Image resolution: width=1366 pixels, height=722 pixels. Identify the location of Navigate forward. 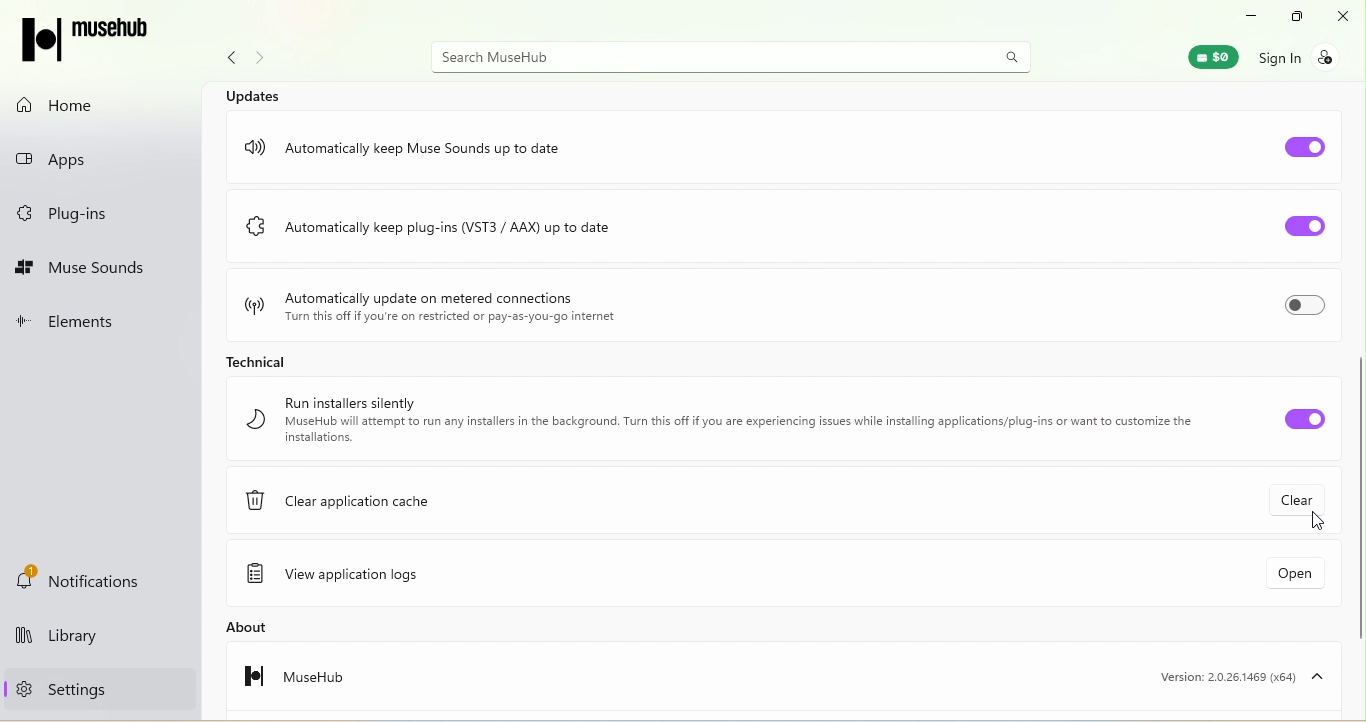
(264, 60).